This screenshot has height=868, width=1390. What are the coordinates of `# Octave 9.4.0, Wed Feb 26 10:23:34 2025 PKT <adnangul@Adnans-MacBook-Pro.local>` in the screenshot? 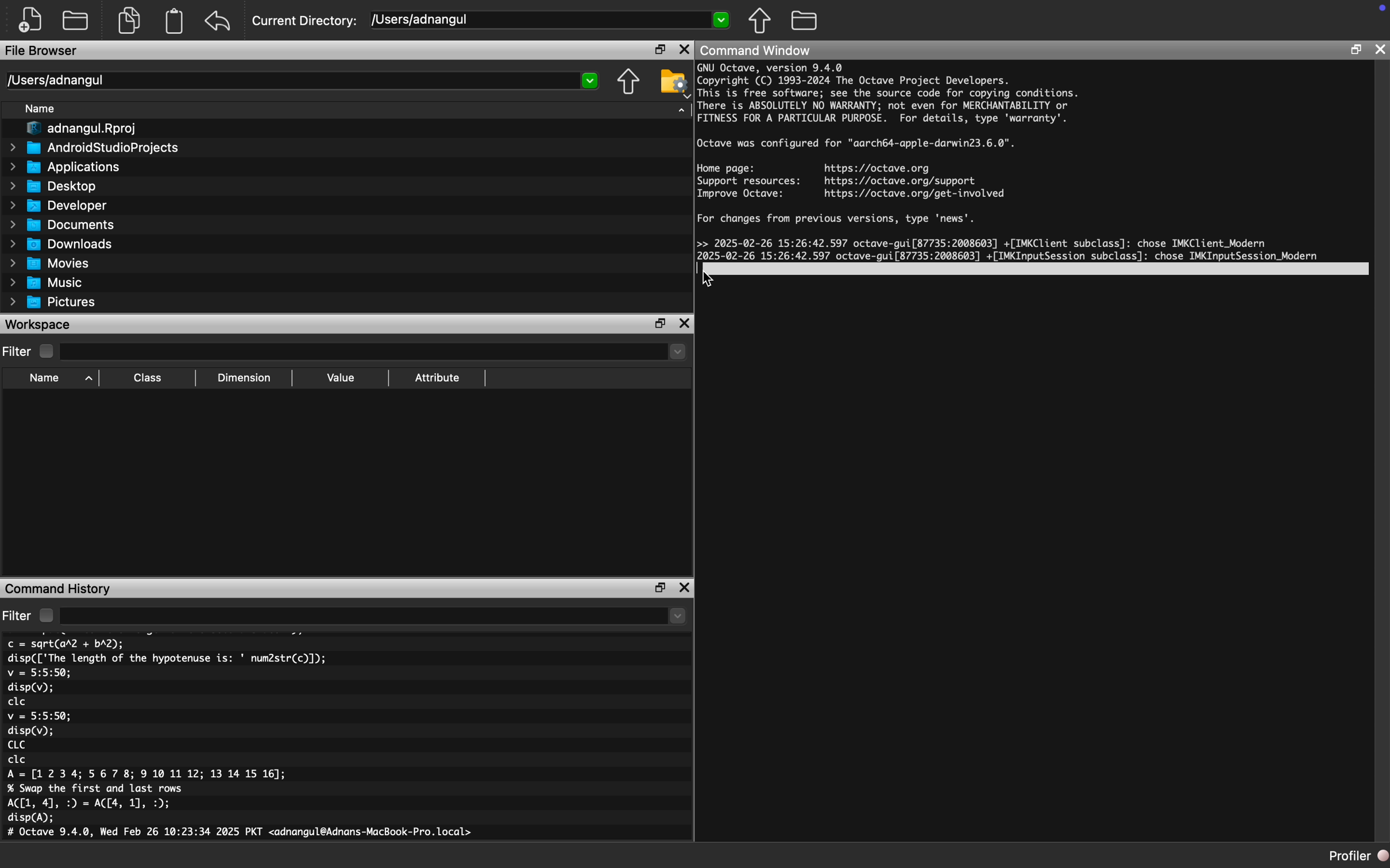 It's located at (243, 834).